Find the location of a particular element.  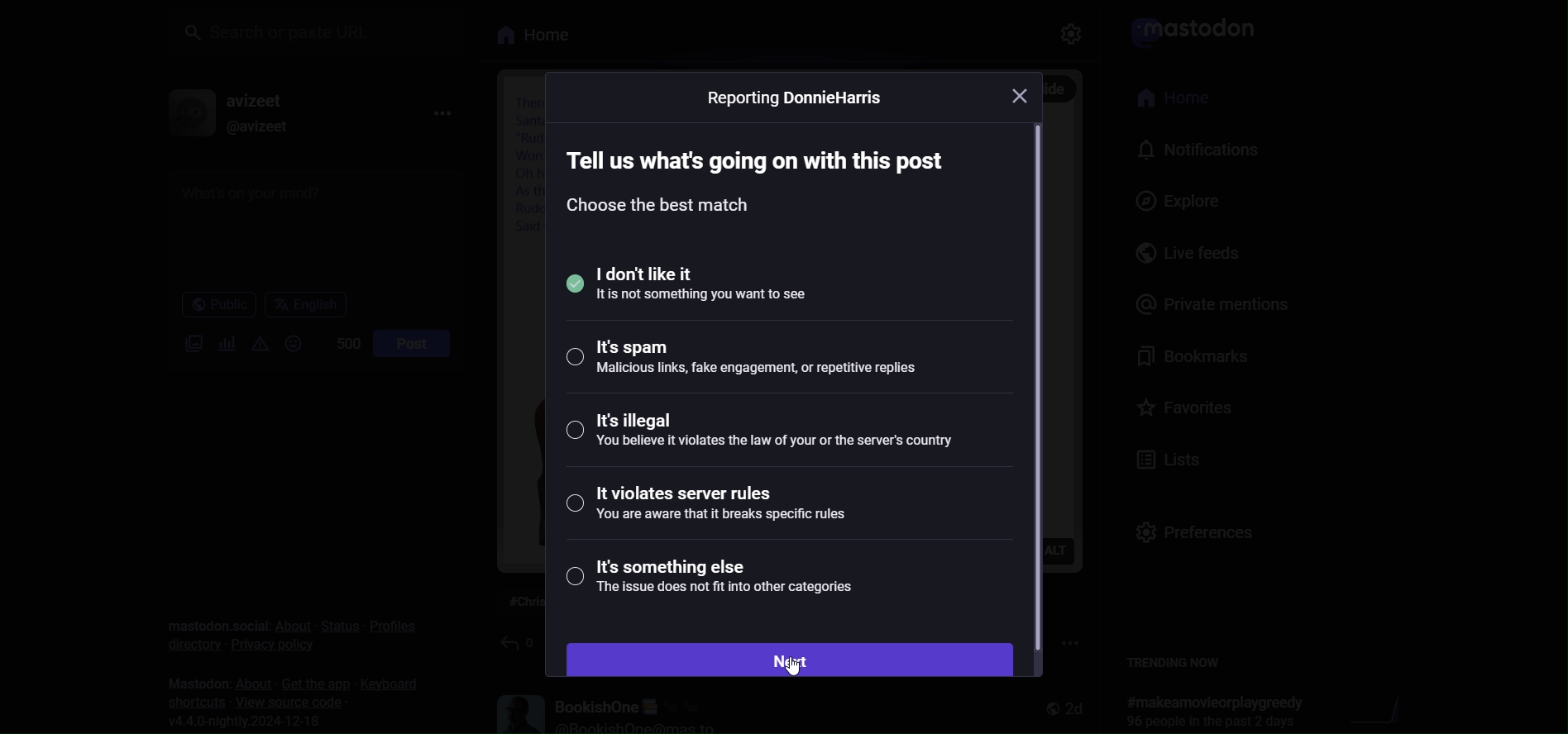

post is located at coordinates (410, 342).